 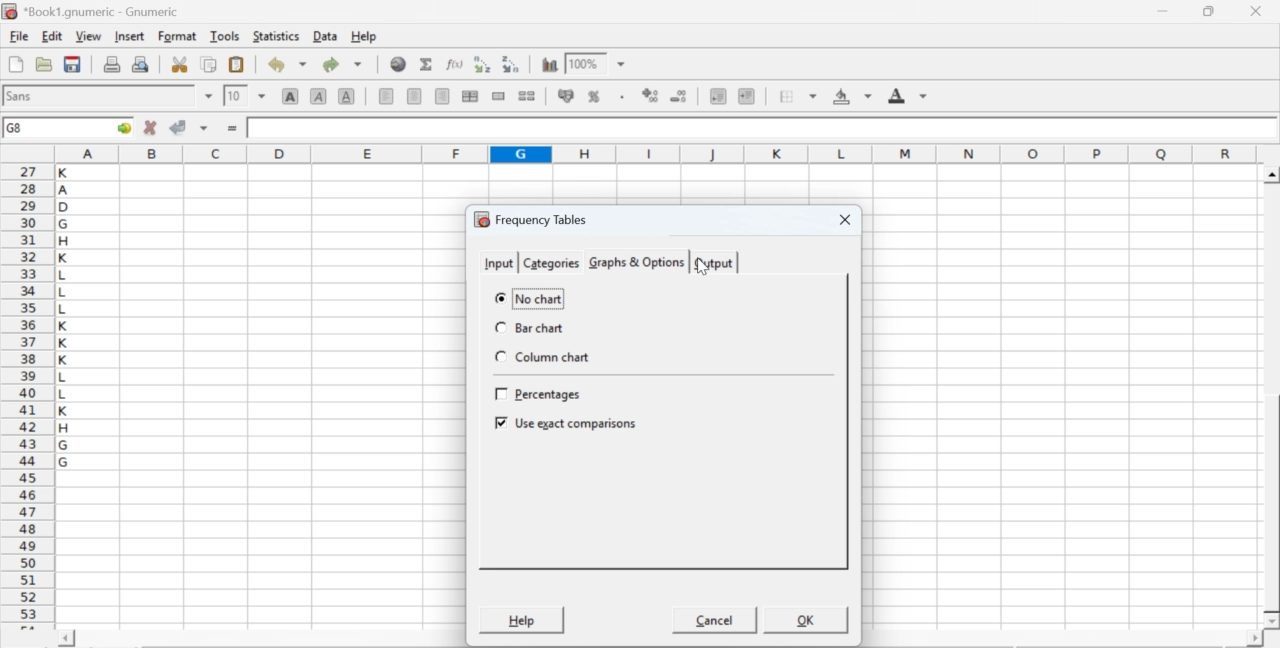 I want to click on format selection as percentage, so click(x=592, y=96).